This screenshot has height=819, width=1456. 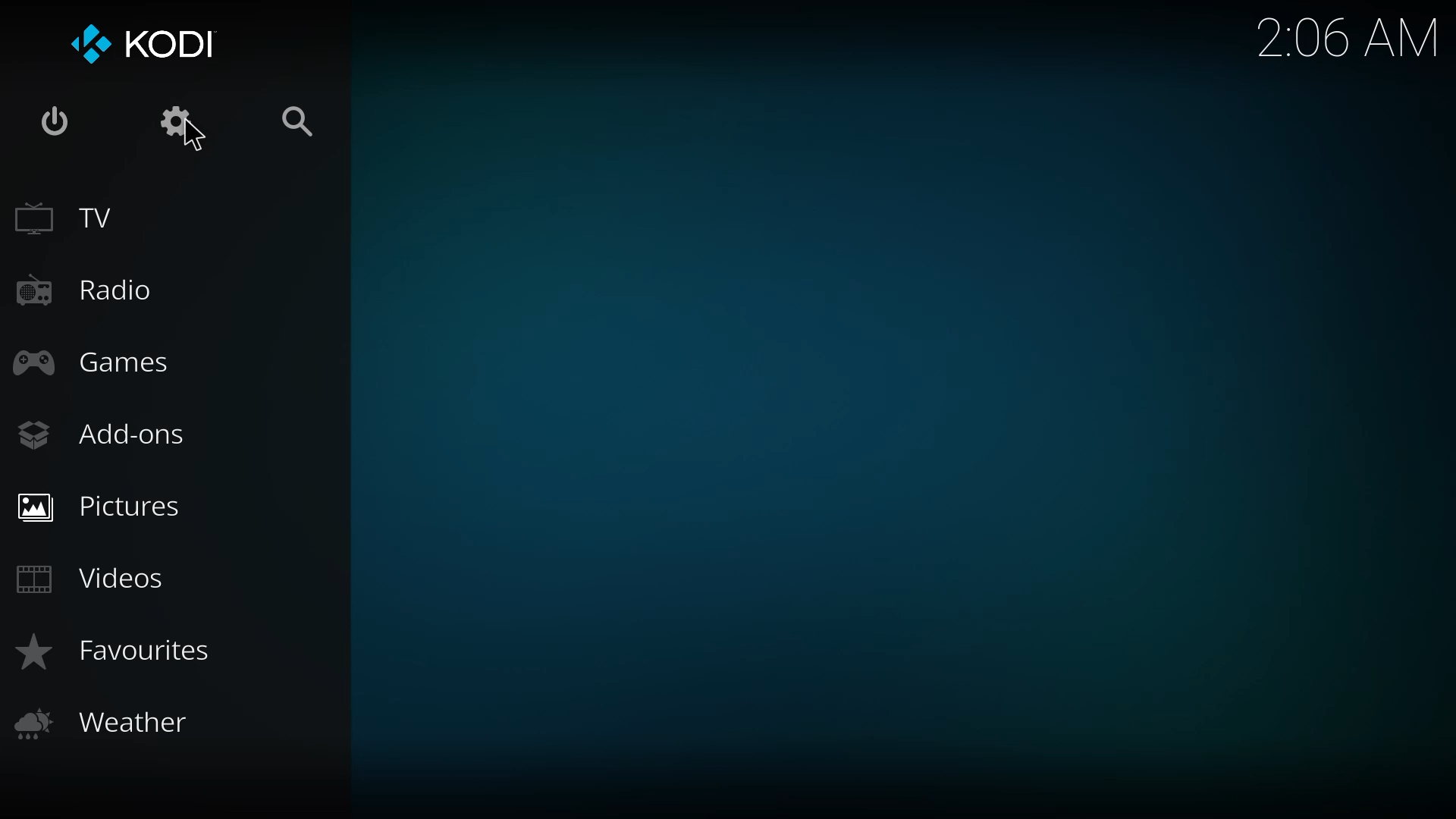 What do you see at coordinates (157, 45) in the screenshot?
I see `kodi` at bounding box center [157, 45].